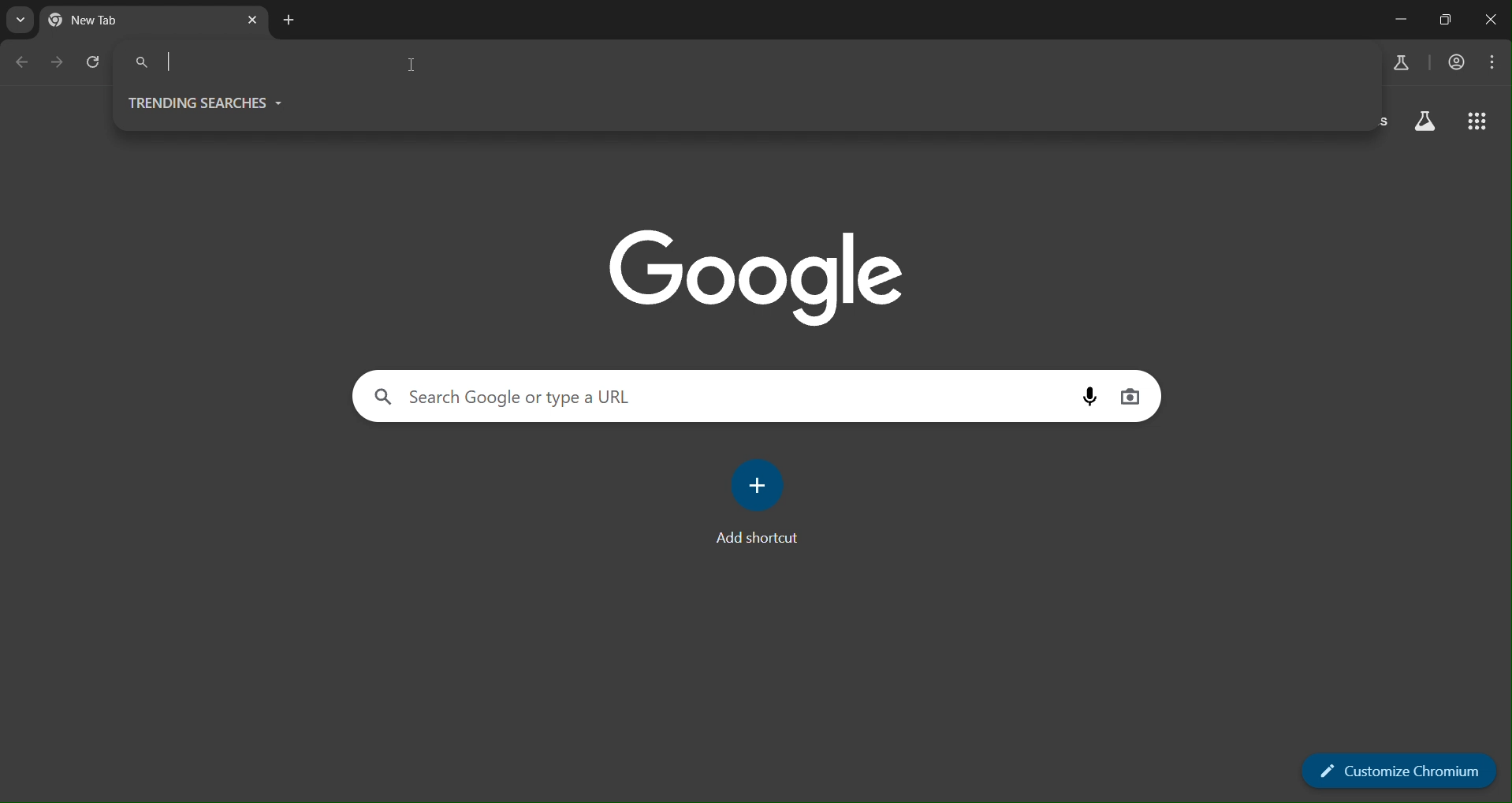 This screenshot has width=1512, height=803. I want to click on close tab, so click(254, 20).